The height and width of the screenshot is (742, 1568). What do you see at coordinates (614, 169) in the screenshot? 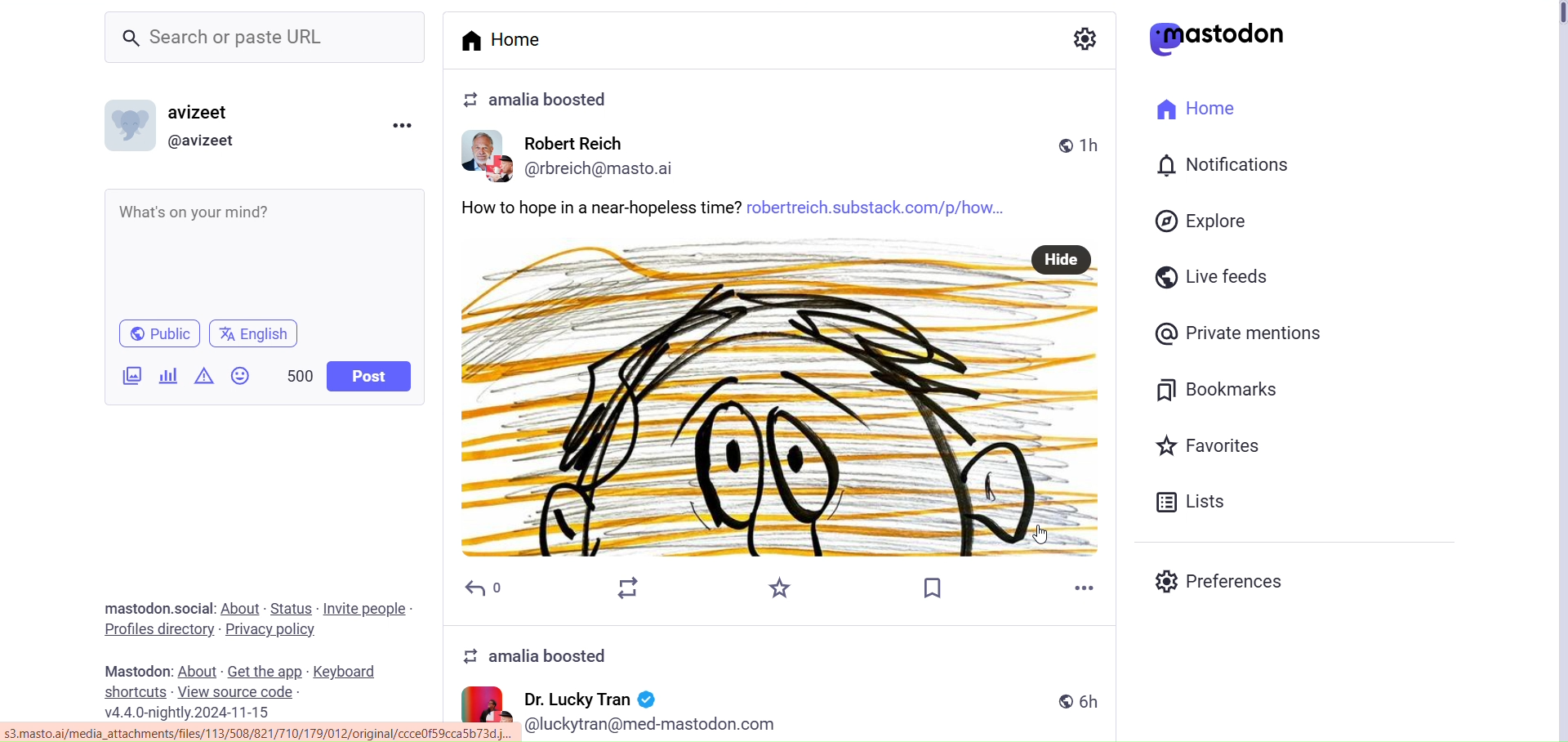
I see `user id` at bounding box center [614, 169].